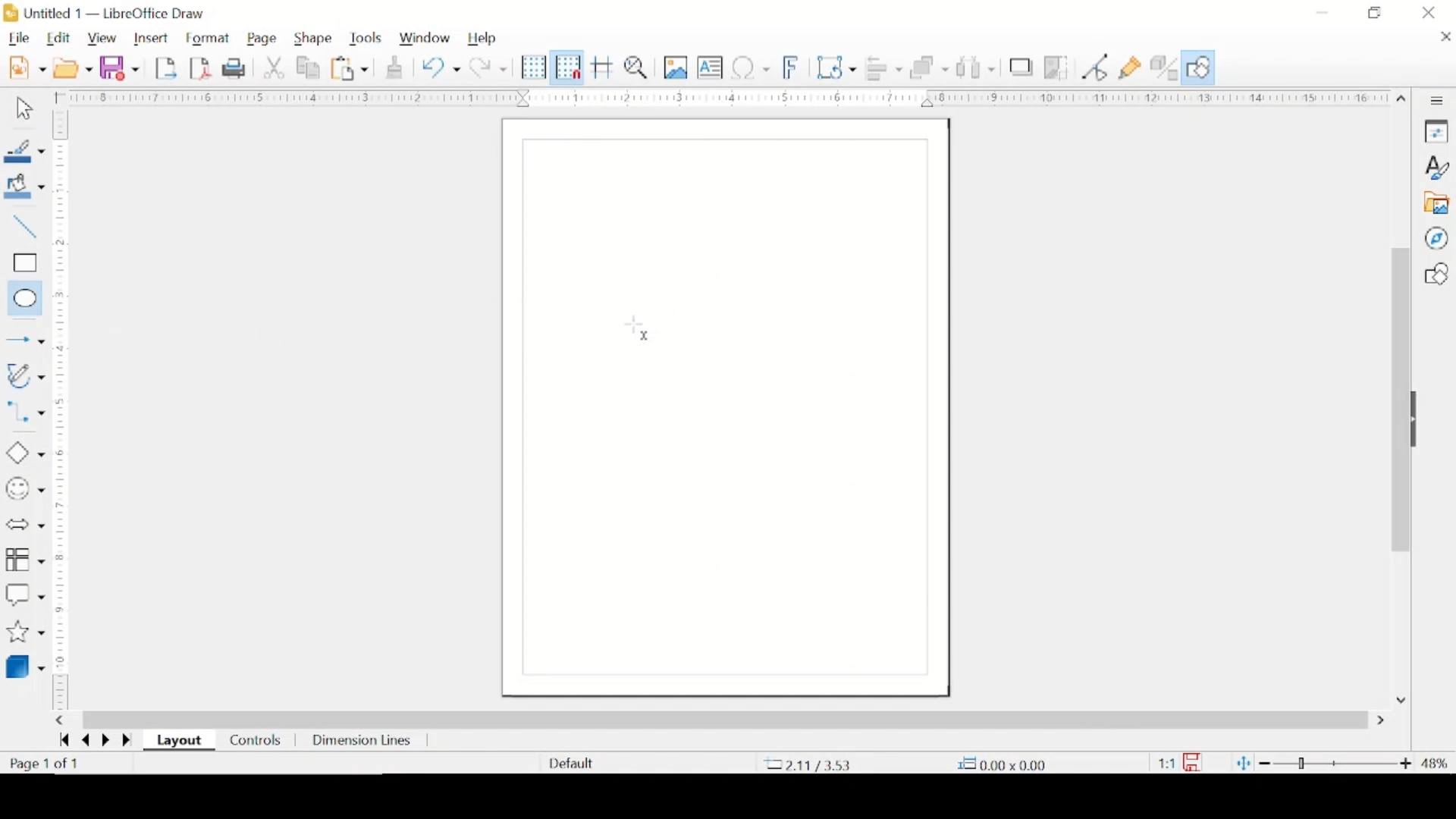 This screenshot has height=819, width=1456. I want to click on align objects, so click(885, 69).